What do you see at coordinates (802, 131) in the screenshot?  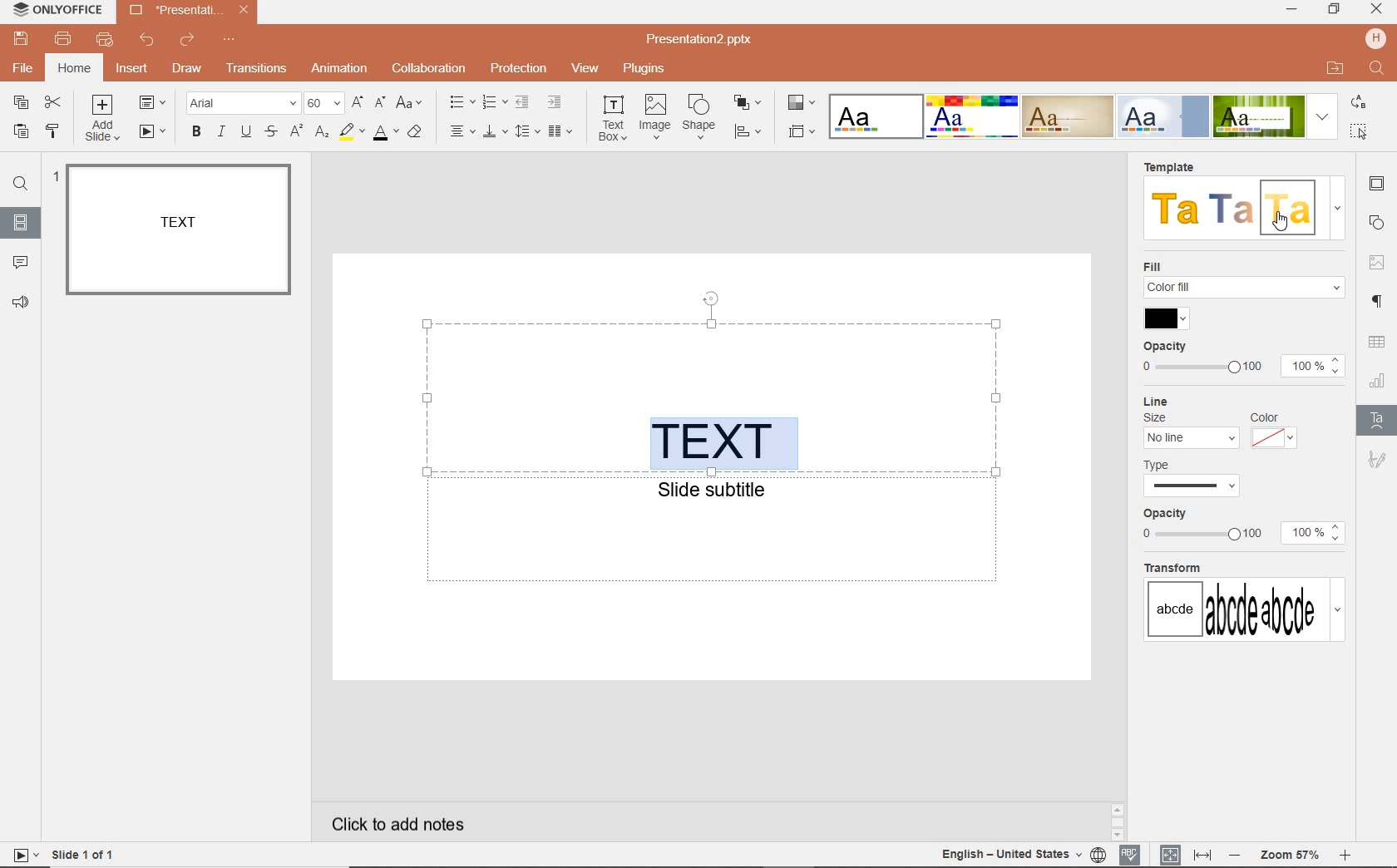 I see `SELECT SLIDE SIZE` at bounding box center [802, 131].